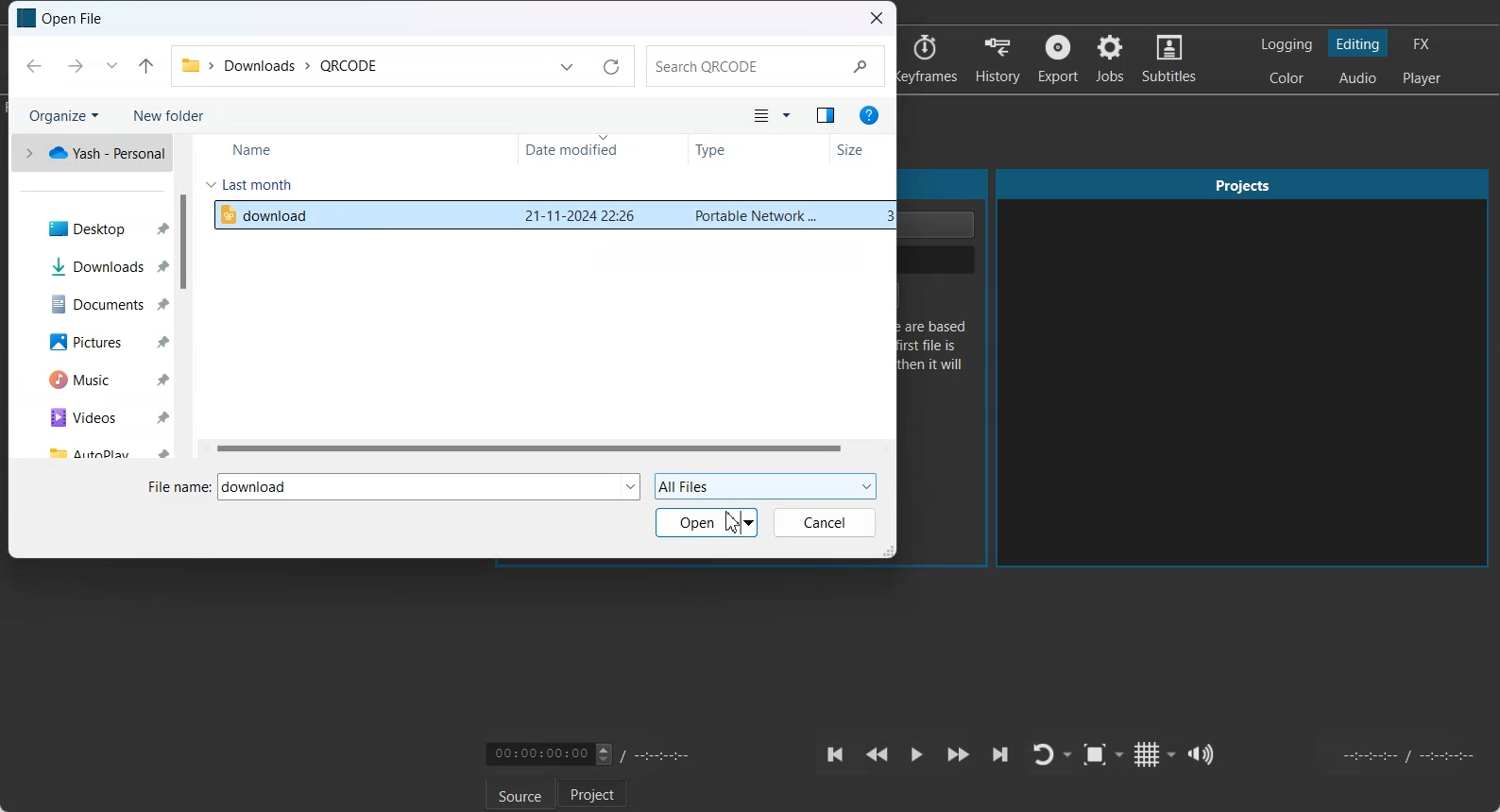  What do you see at coordinates (1423, 78) in the screenshot?
I see `Switching to the Player only layout` at bounding box center [1423, 78].